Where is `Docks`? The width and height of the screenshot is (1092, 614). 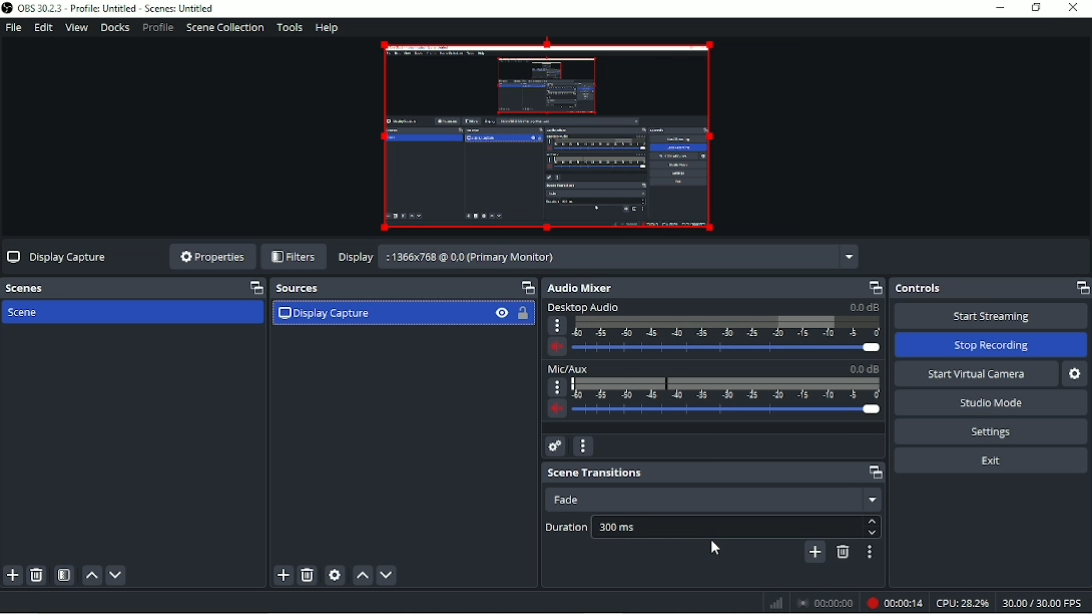 Docks is located at coordinates (115, 27).